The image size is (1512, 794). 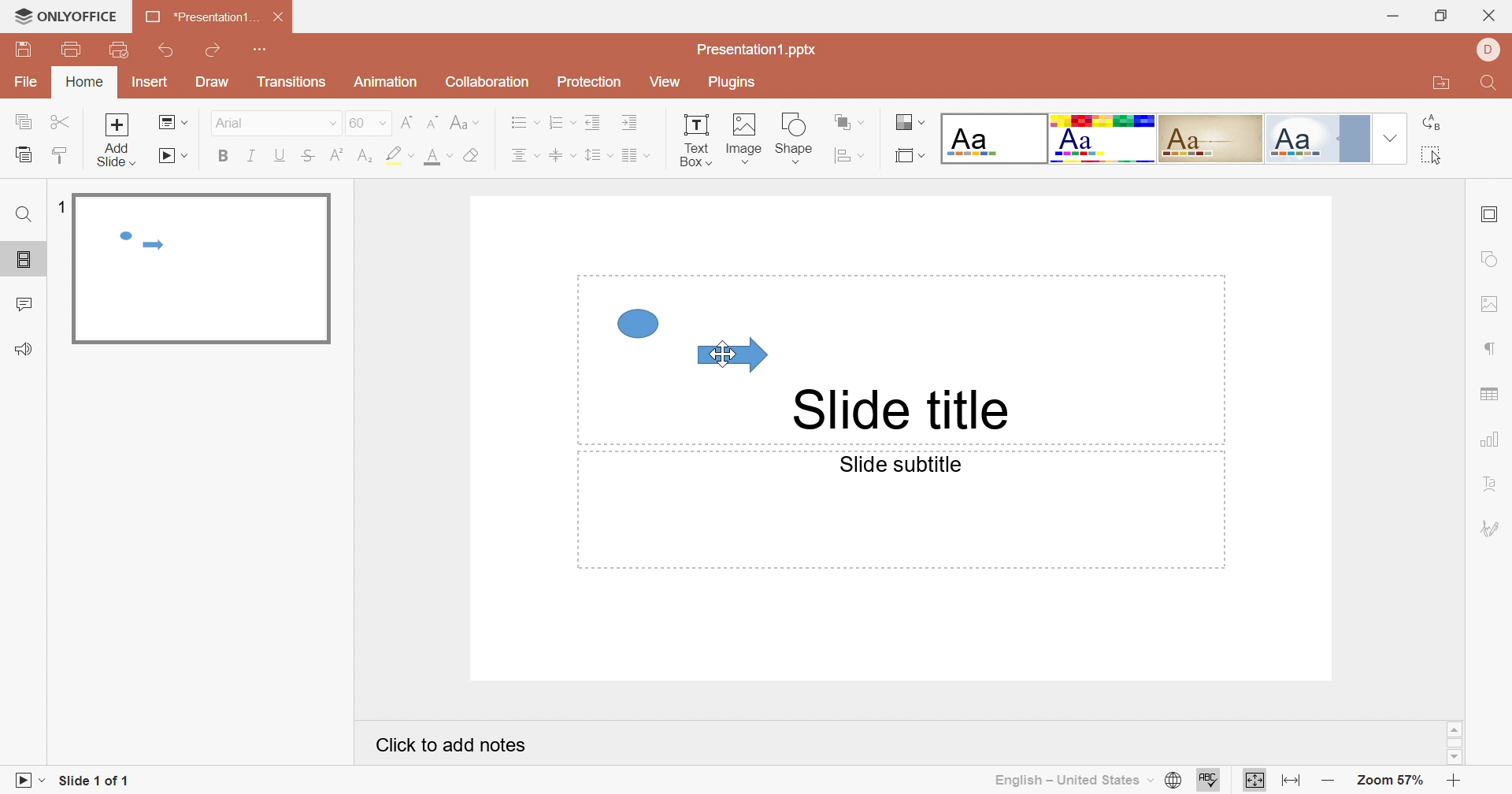 What do you see at coordinates (26, 351) in the screenshot?
I see `Feedback & Support` at bounding box center [26, 351].